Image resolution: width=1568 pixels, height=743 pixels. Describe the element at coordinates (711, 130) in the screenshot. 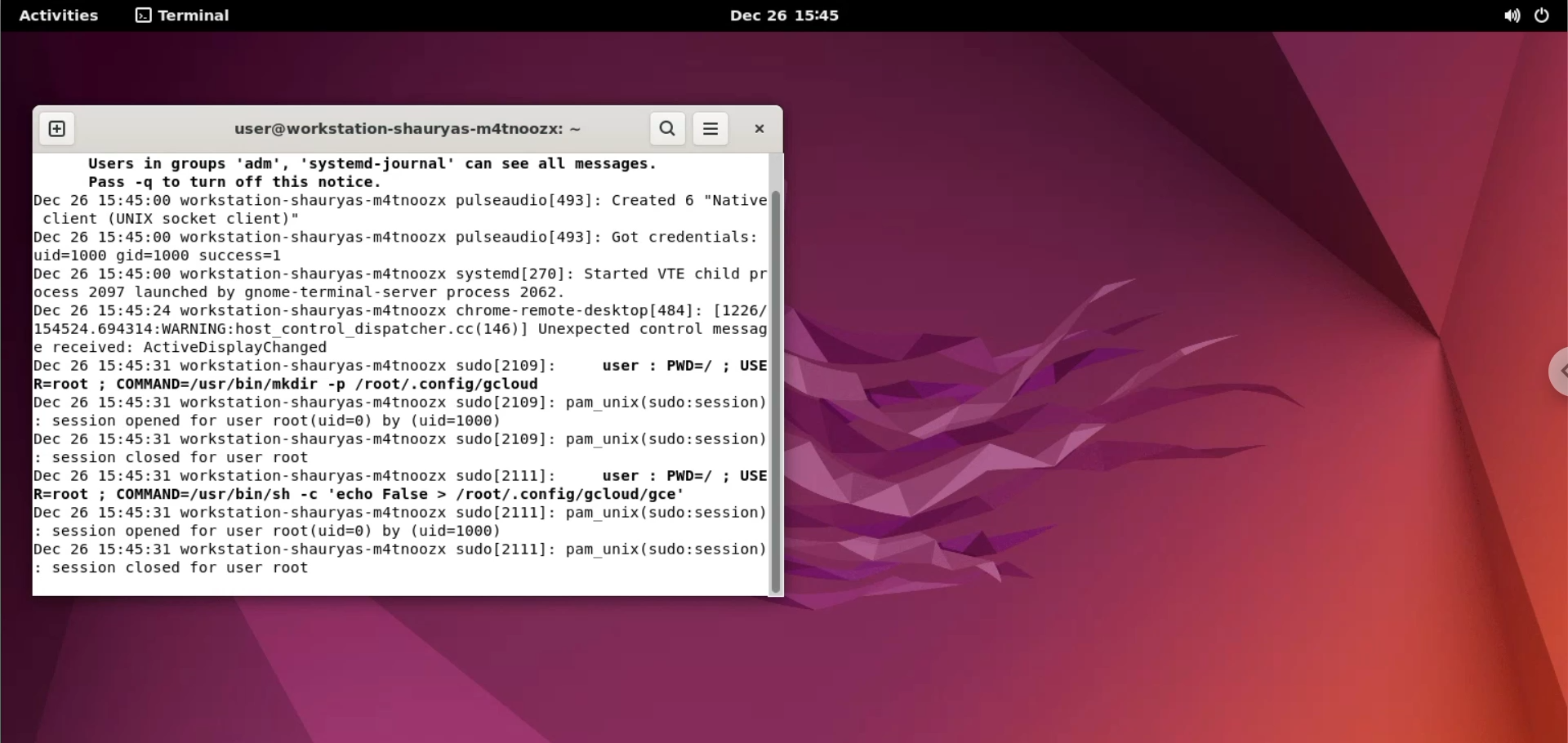

I see `more options` at that location.